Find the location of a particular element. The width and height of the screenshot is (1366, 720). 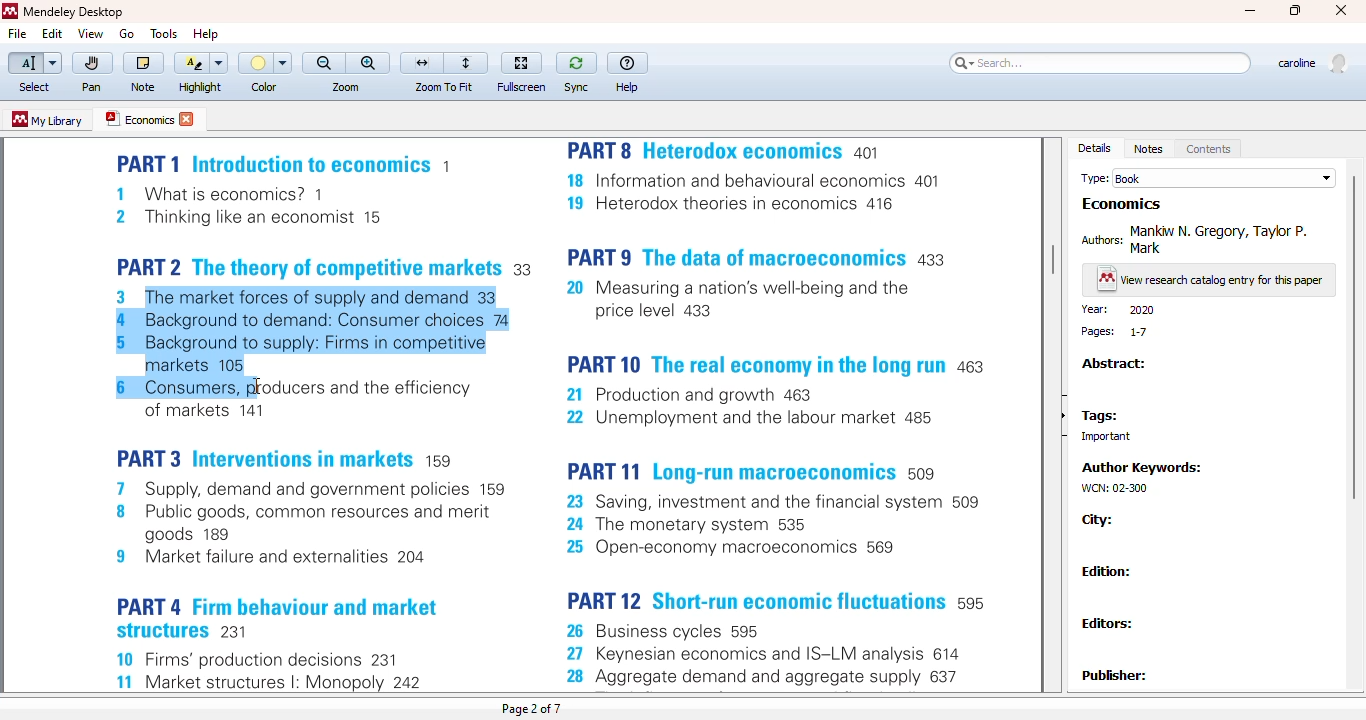

close is located at coordinates (1341, 10).